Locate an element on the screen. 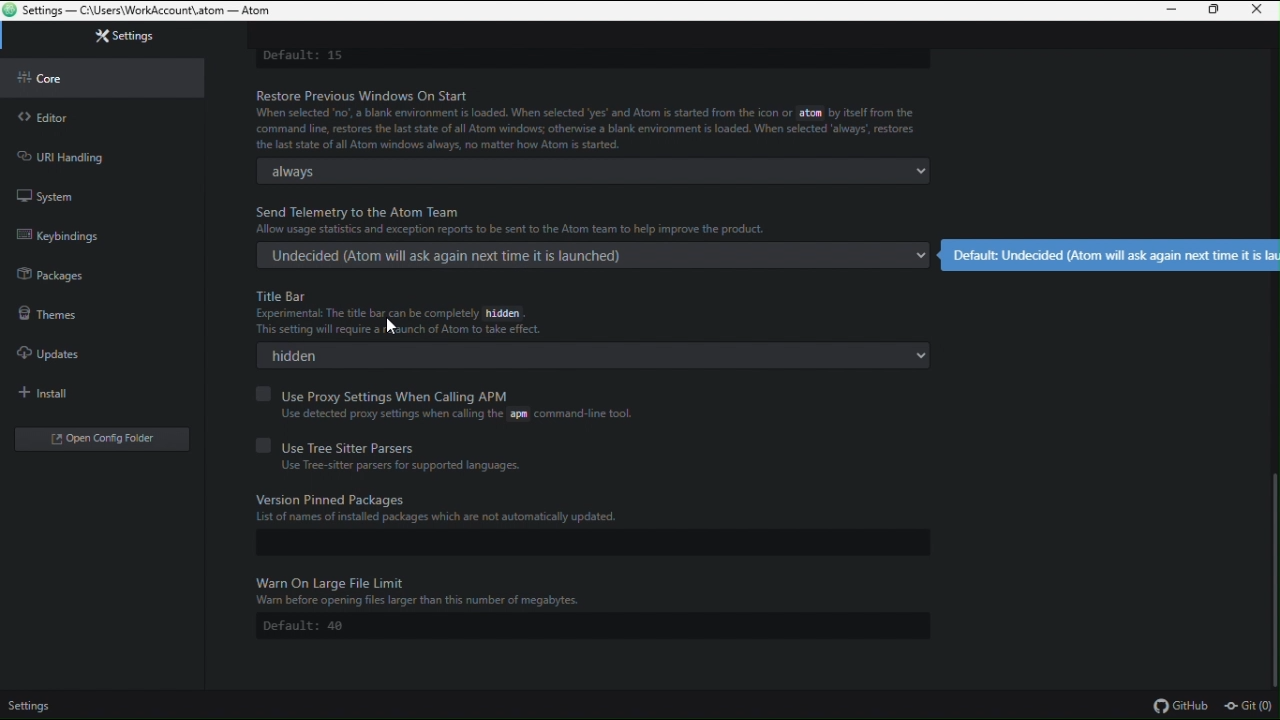  settings is located at coordinates (36, 707).